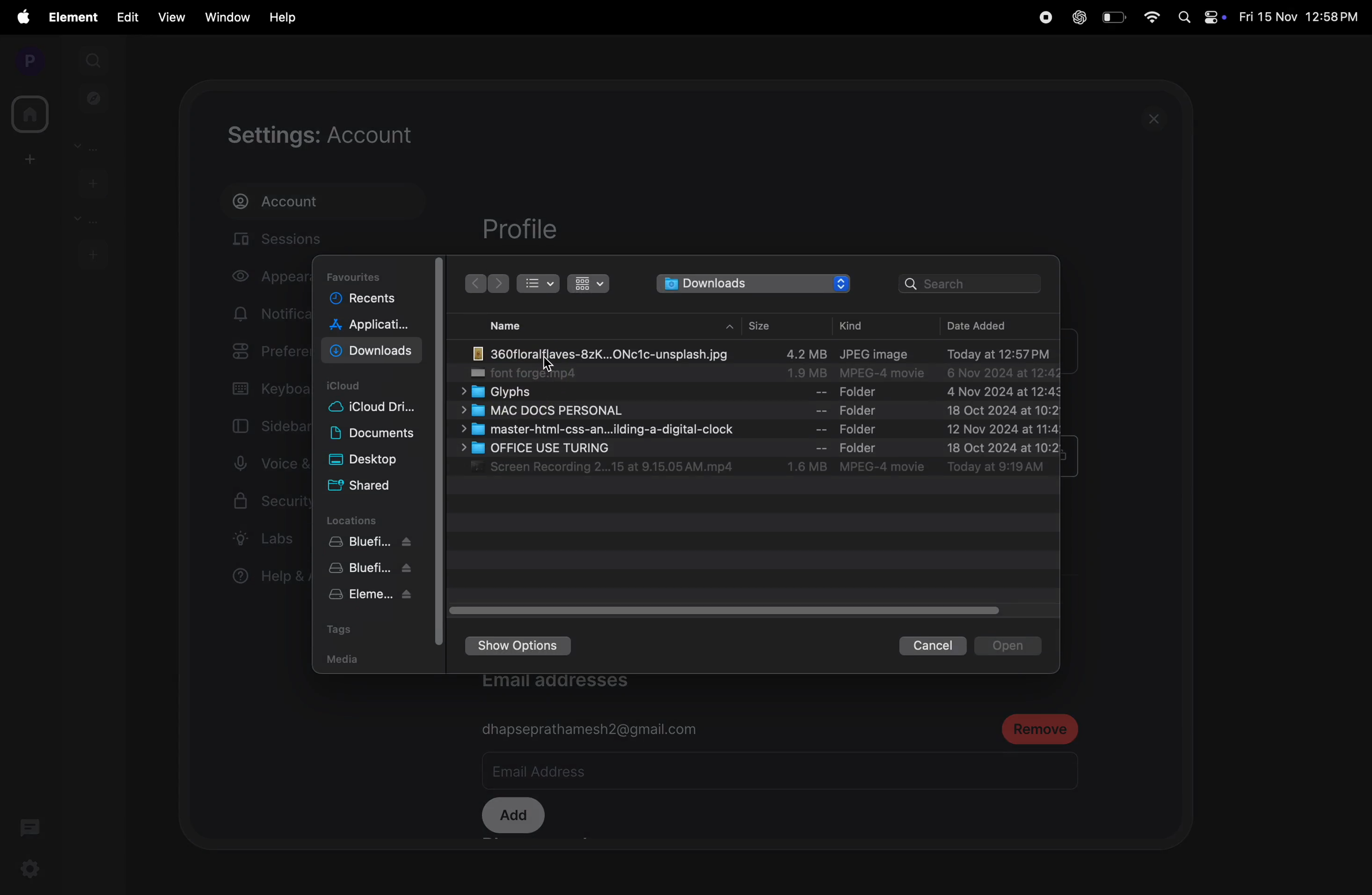  Describe the element at coordinates (1301, 18) in the screenshot. I see `date and time` at that location.